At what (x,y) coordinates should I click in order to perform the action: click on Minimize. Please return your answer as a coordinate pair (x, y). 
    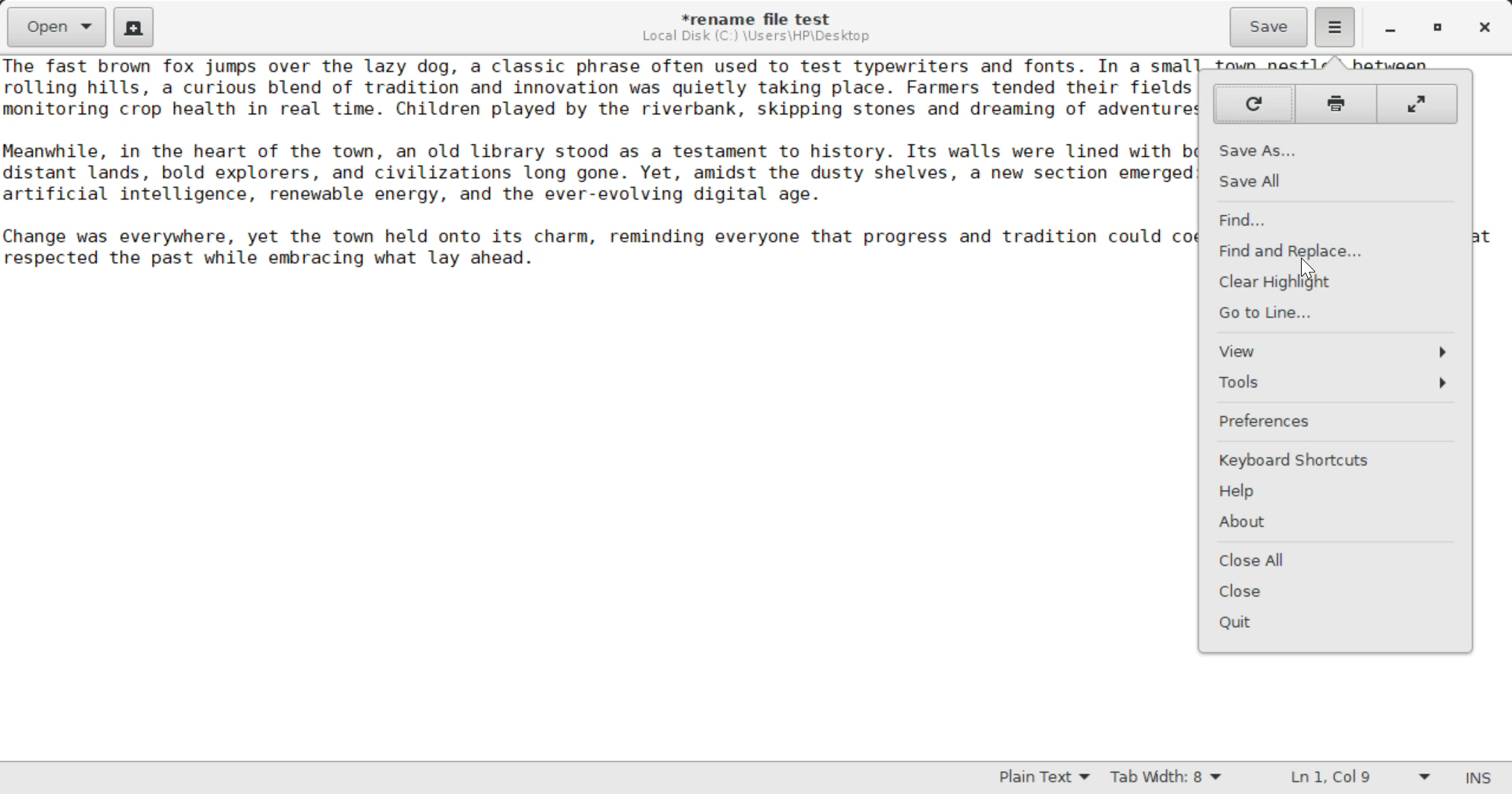
    Looking at the image, I should click on (1440, 27).